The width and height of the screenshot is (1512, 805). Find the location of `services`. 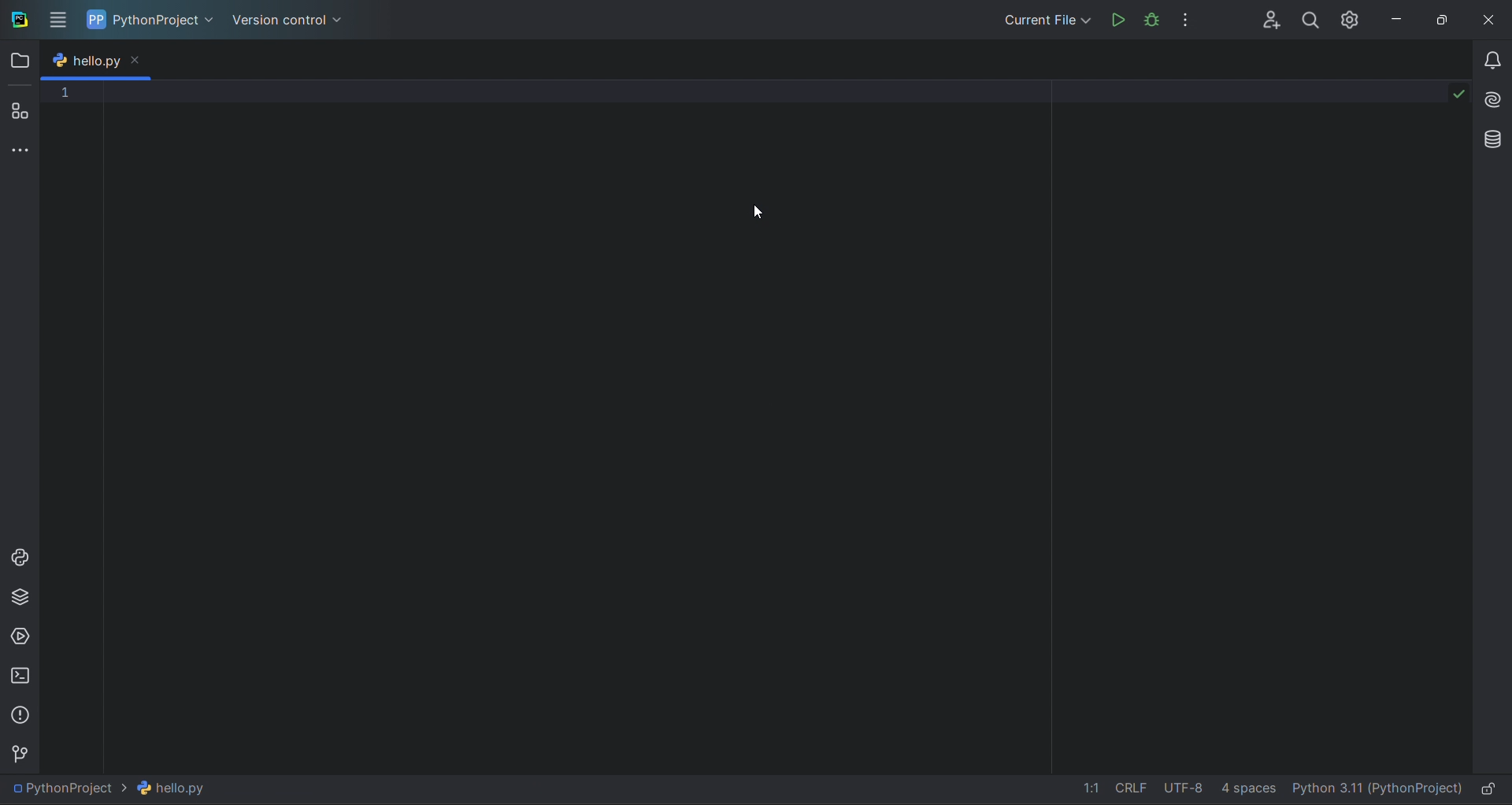

services is located at coordinates (19, 637).